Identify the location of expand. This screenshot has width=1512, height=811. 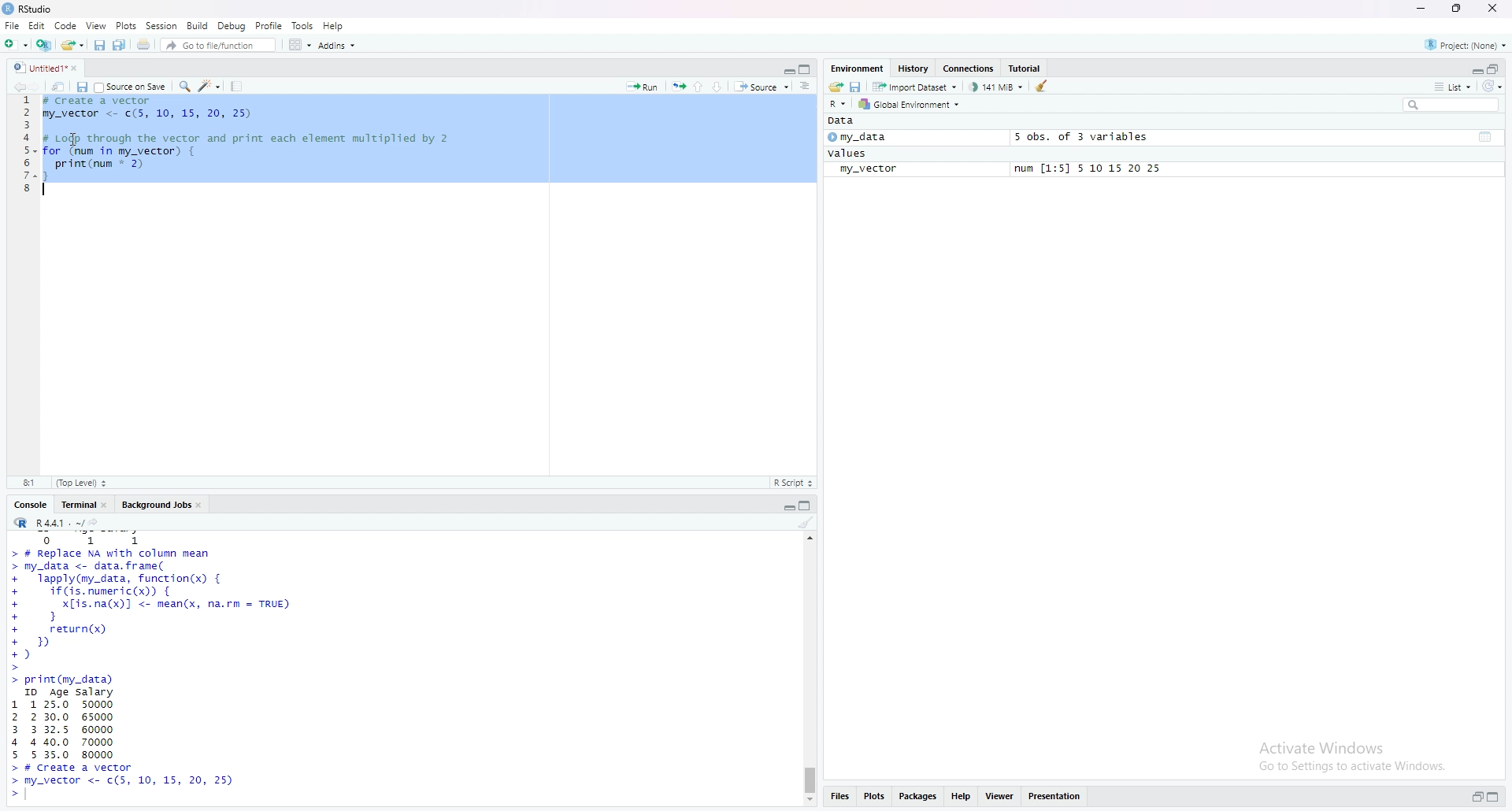
(1475, 797).